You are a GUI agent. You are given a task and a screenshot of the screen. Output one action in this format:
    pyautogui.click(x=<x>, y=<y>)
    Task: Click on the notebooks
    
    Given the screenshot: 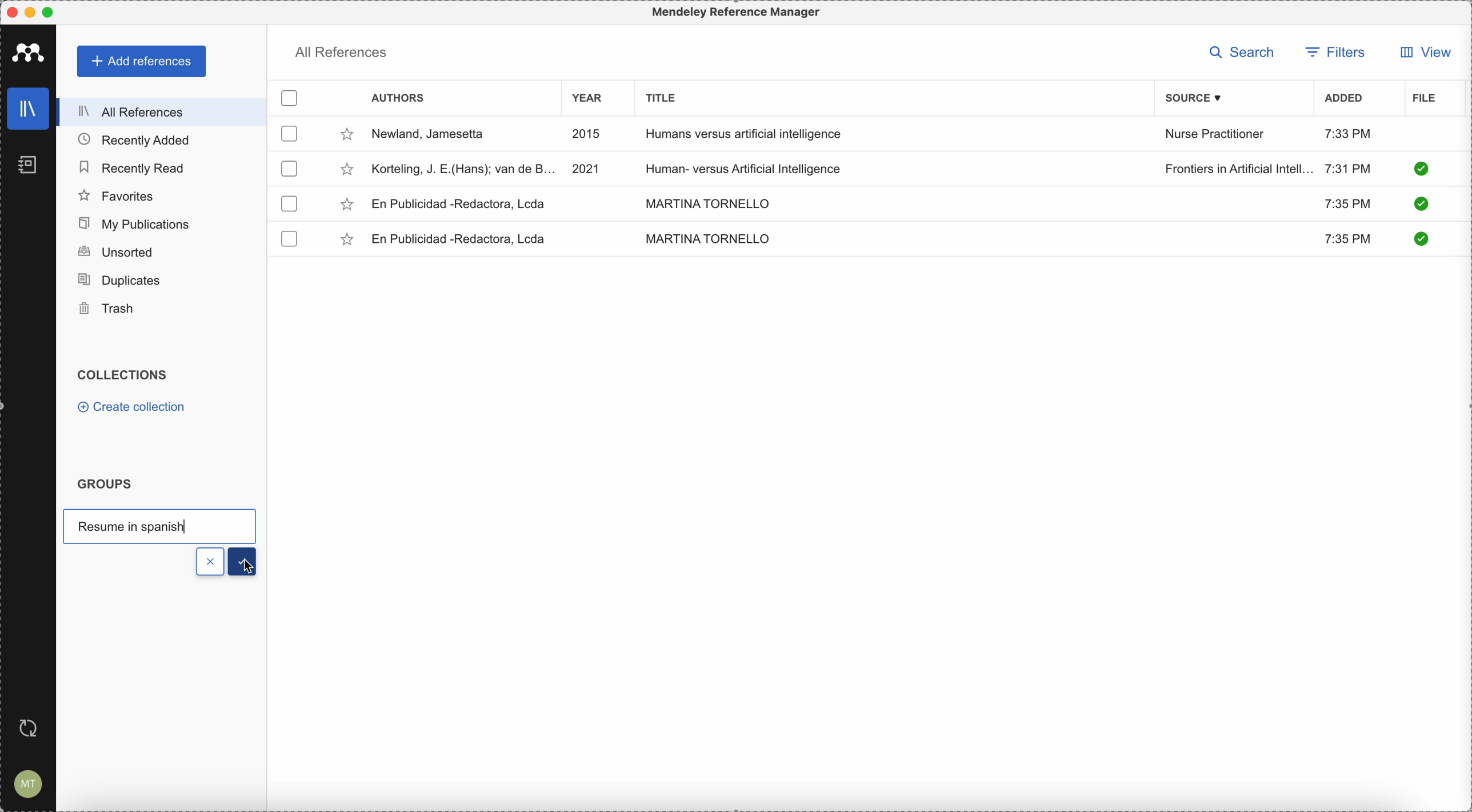 What is the action you would take?
    pyautogui.click(x=30, y=168)
    